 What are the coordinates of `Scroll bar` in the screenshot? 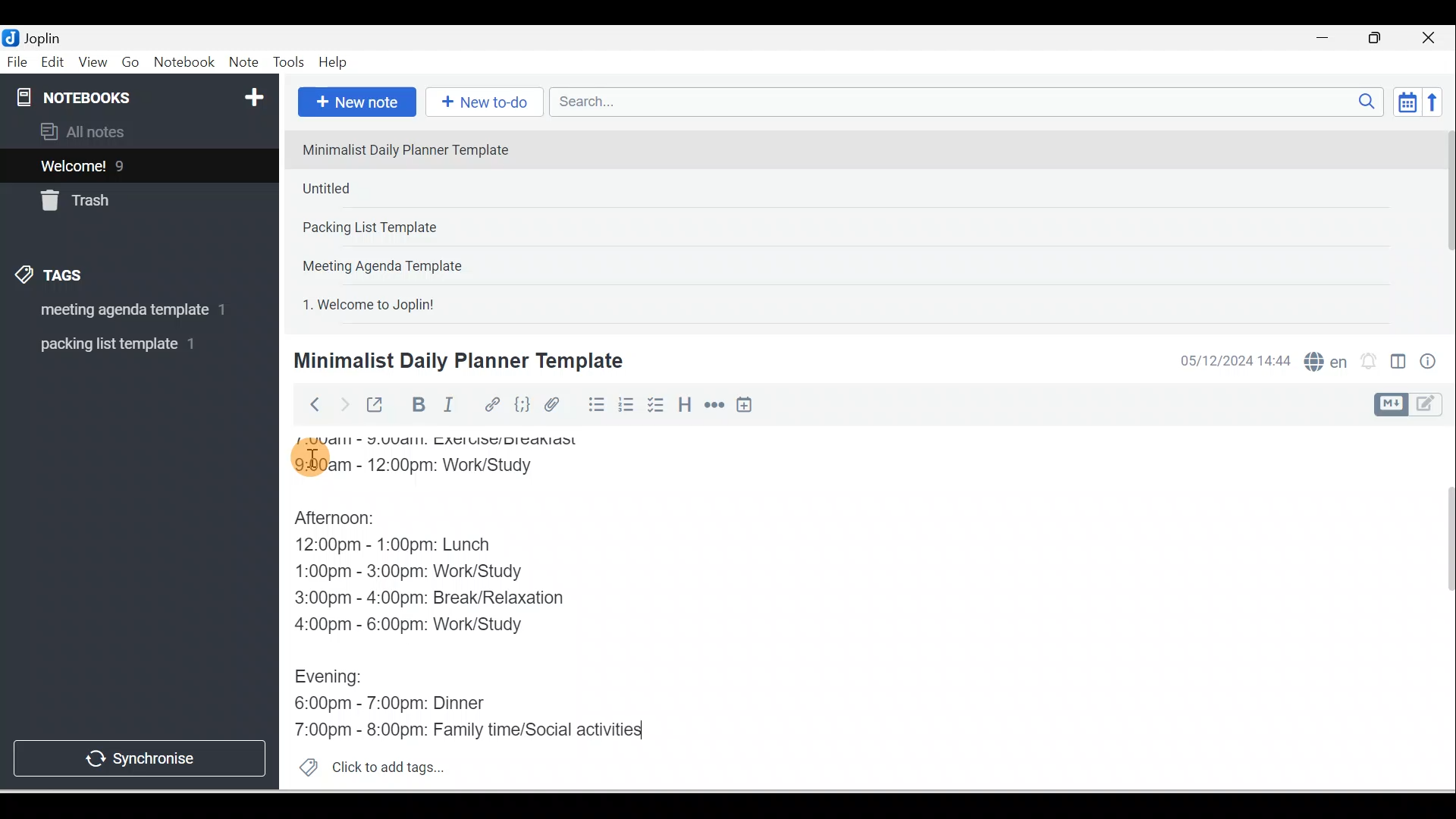 It's located at (1439, 608).